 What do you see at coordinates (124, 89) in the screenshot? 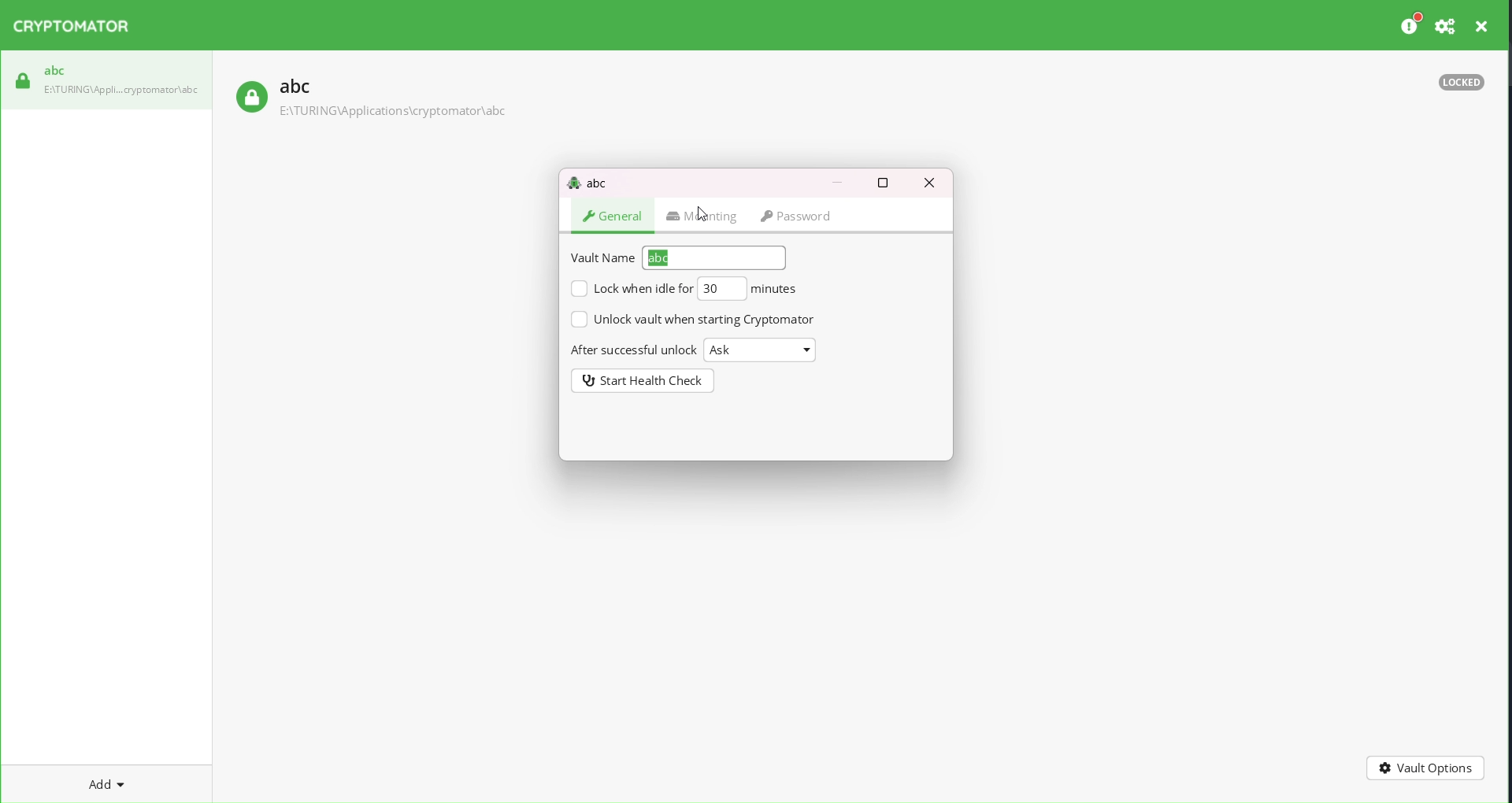
I see `path` at bounding box center [124, 89].